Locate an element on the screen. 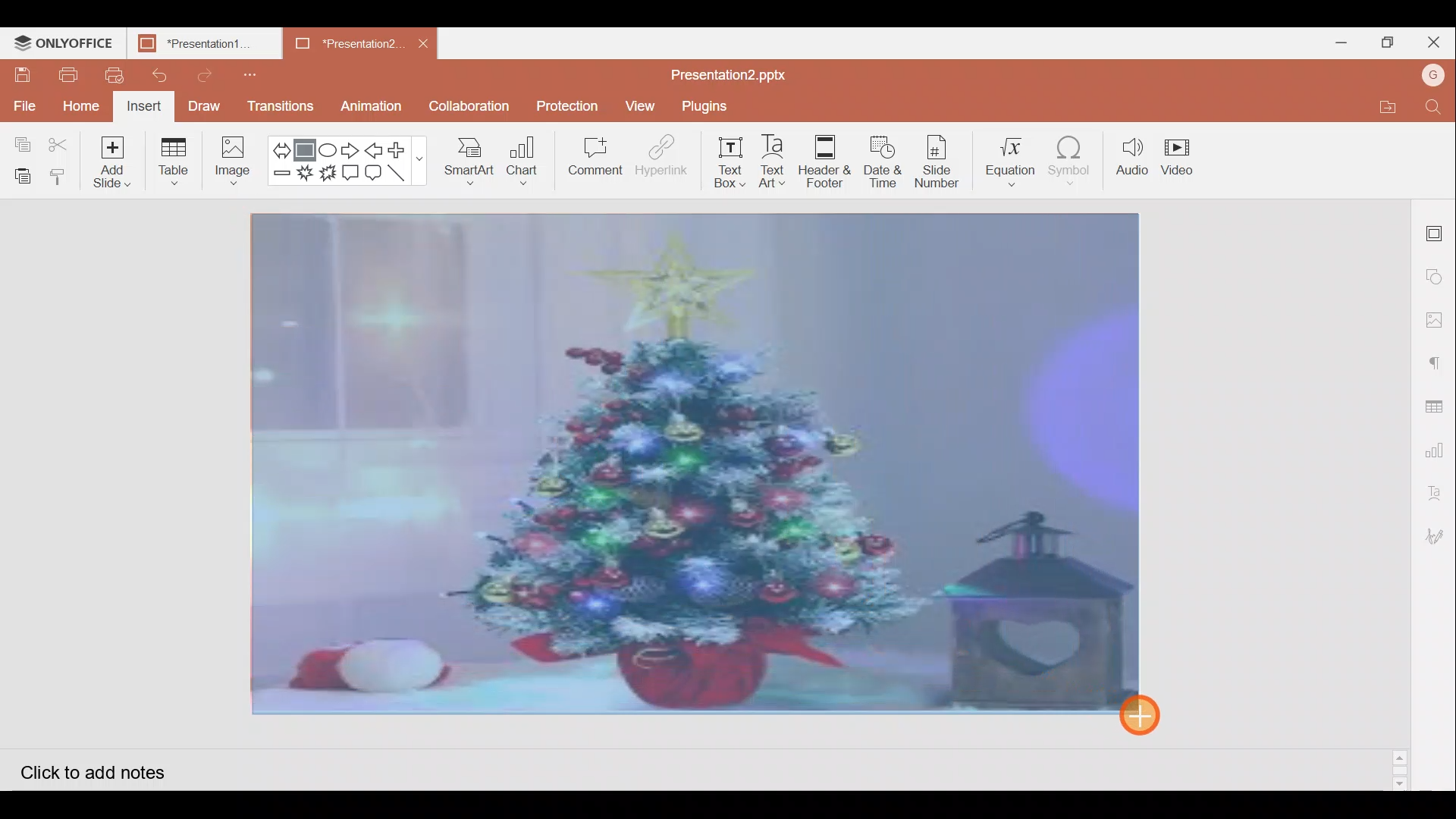  Transitions is located at coordinates (279, 106).